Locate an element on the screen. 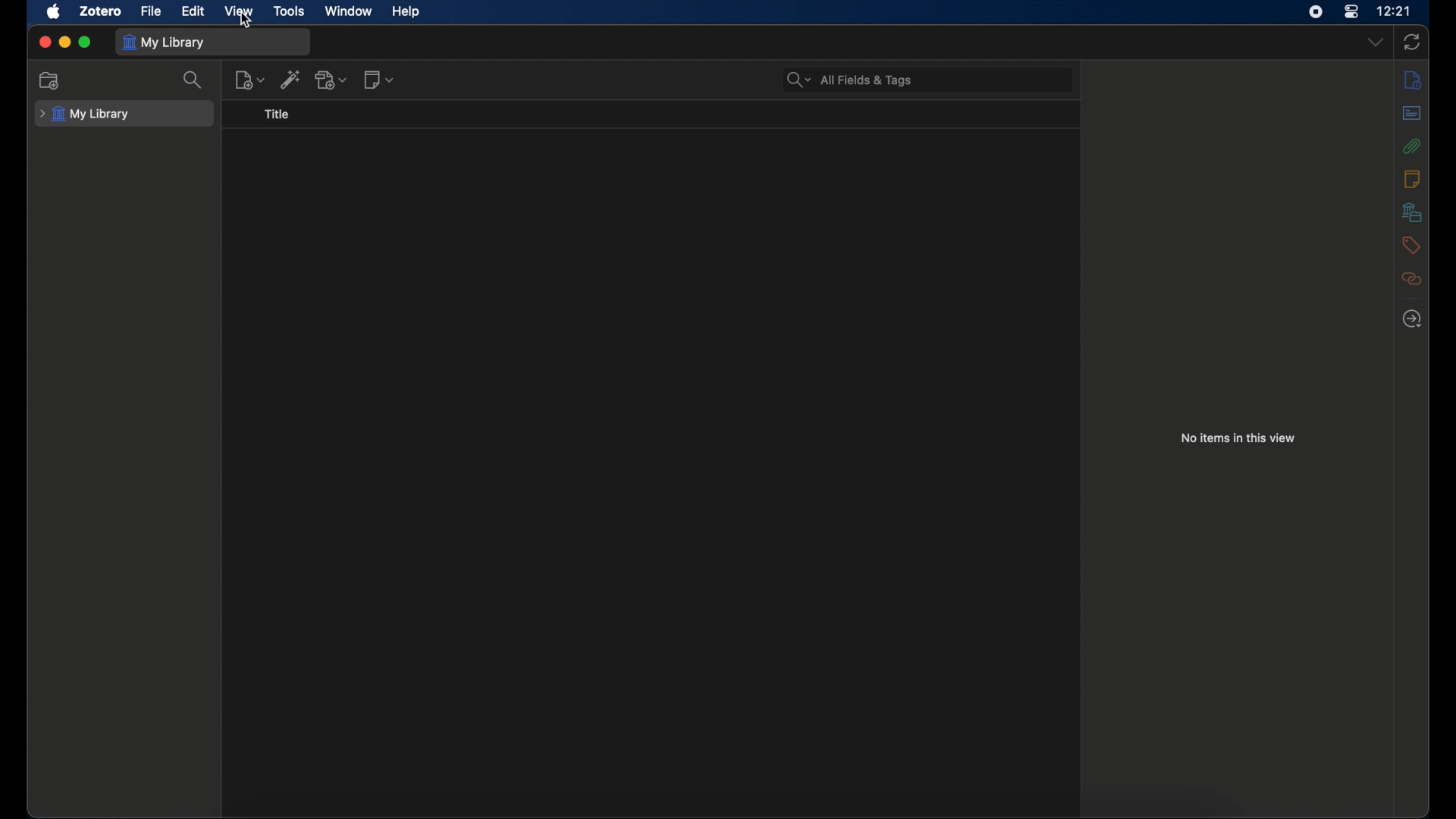  add attachments is located at coordinates (334, 81).